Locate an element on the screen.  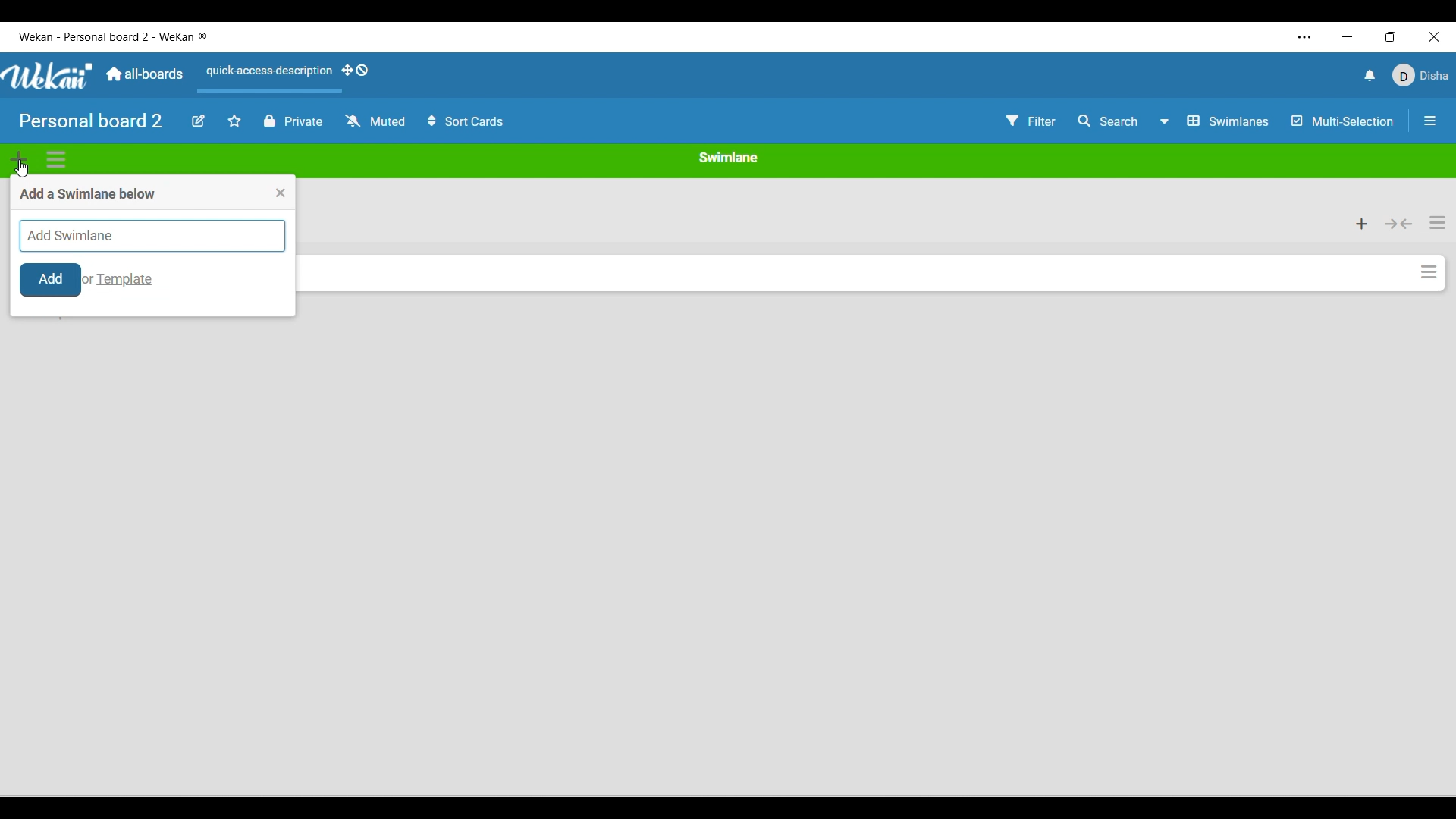
Text box to input Swimlane title is located at coordinates (152, 236).